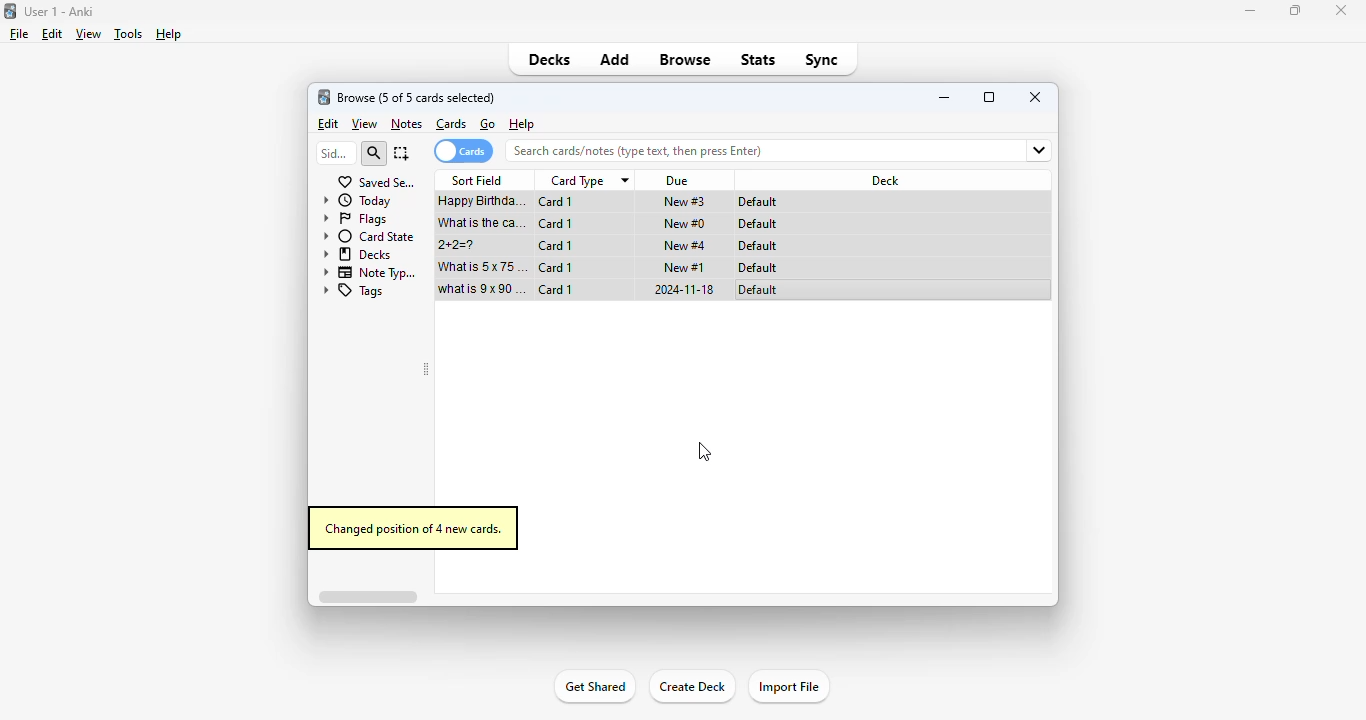 The image size is (1366, 720). I want to click on card 1, so click(555, 246).